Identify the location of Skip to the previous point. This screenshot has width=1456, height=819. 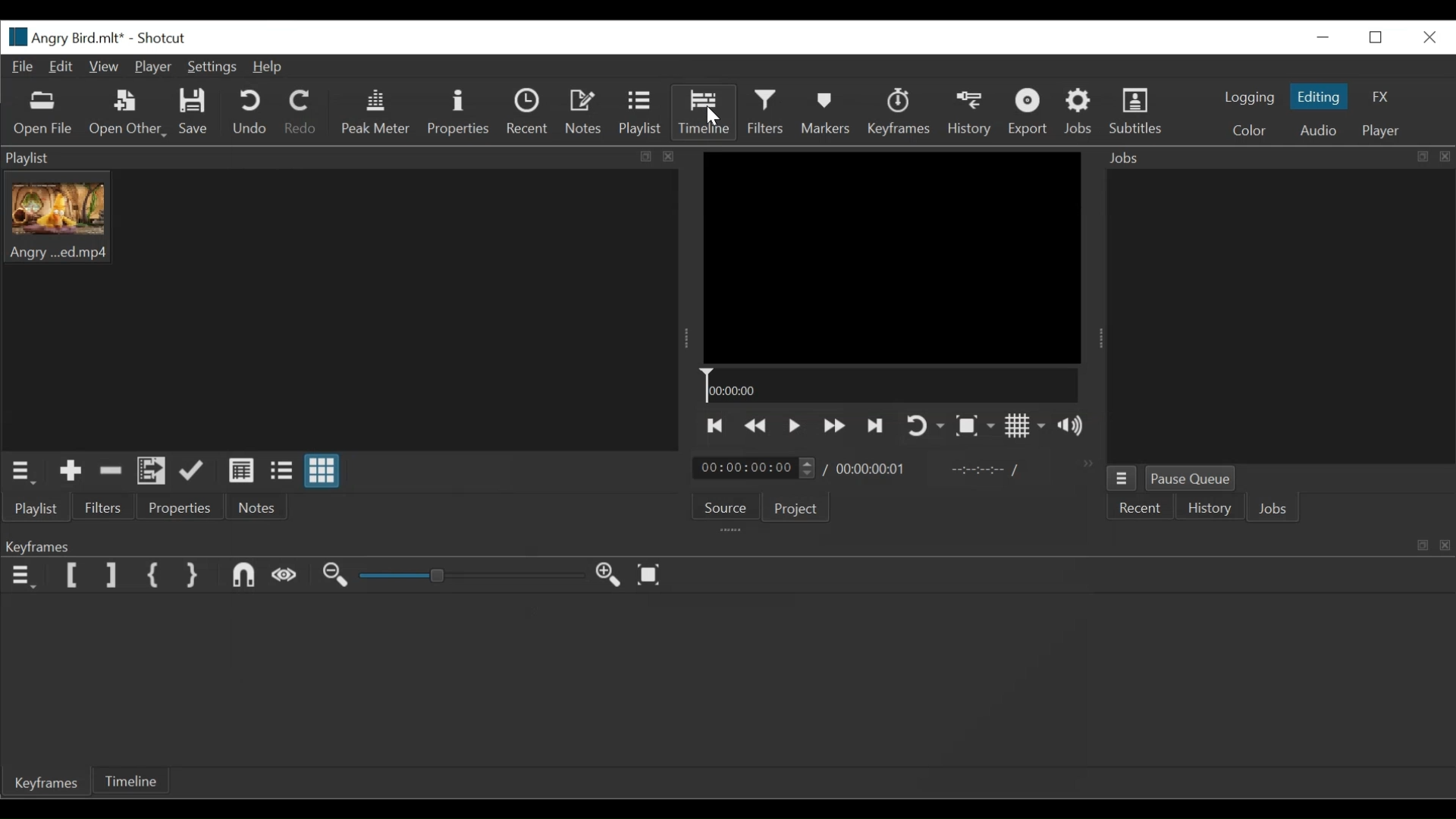
(717, 427).